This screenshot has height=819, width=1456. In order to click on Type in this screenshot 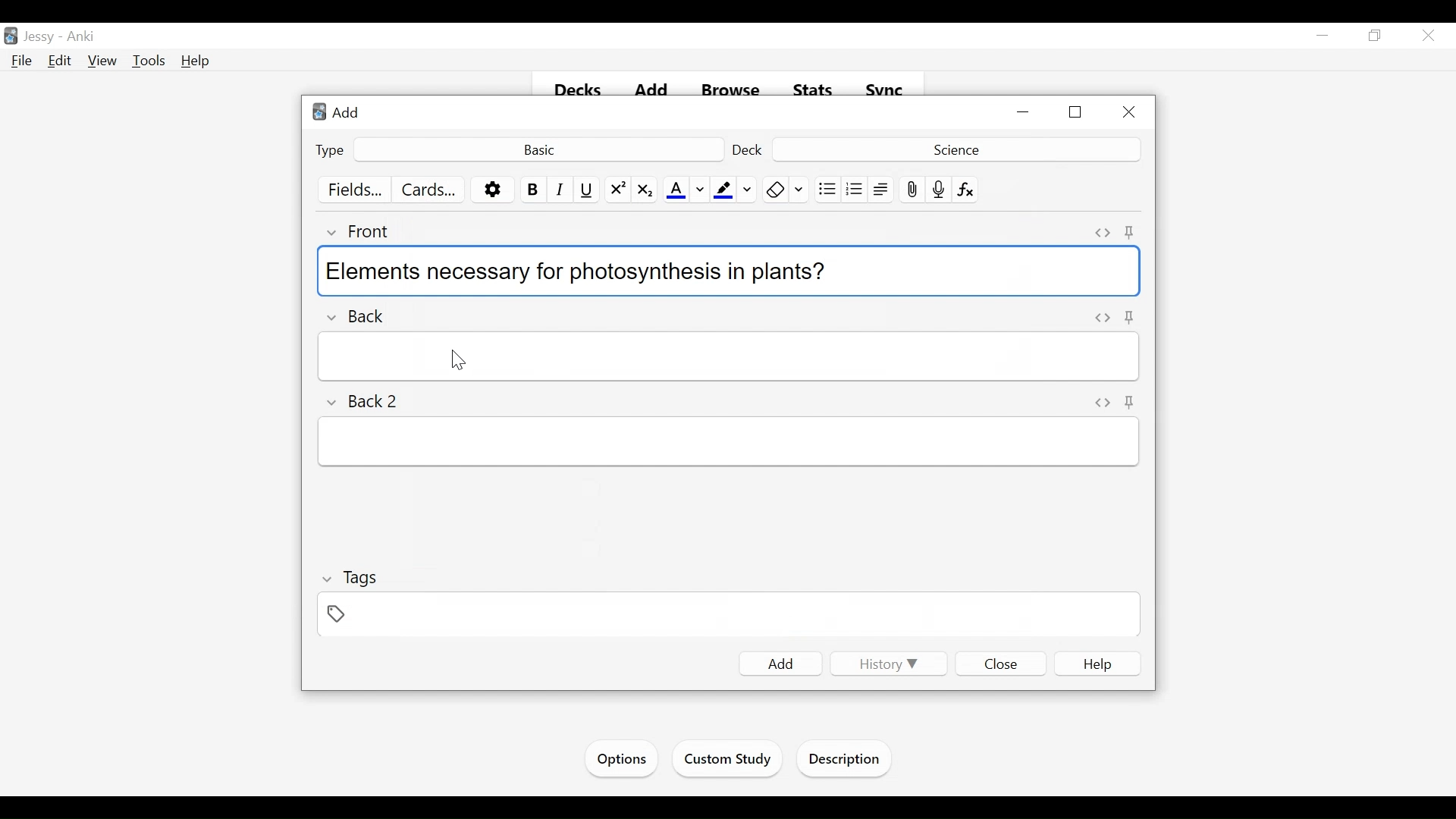, I will do `click(331, 149)`.